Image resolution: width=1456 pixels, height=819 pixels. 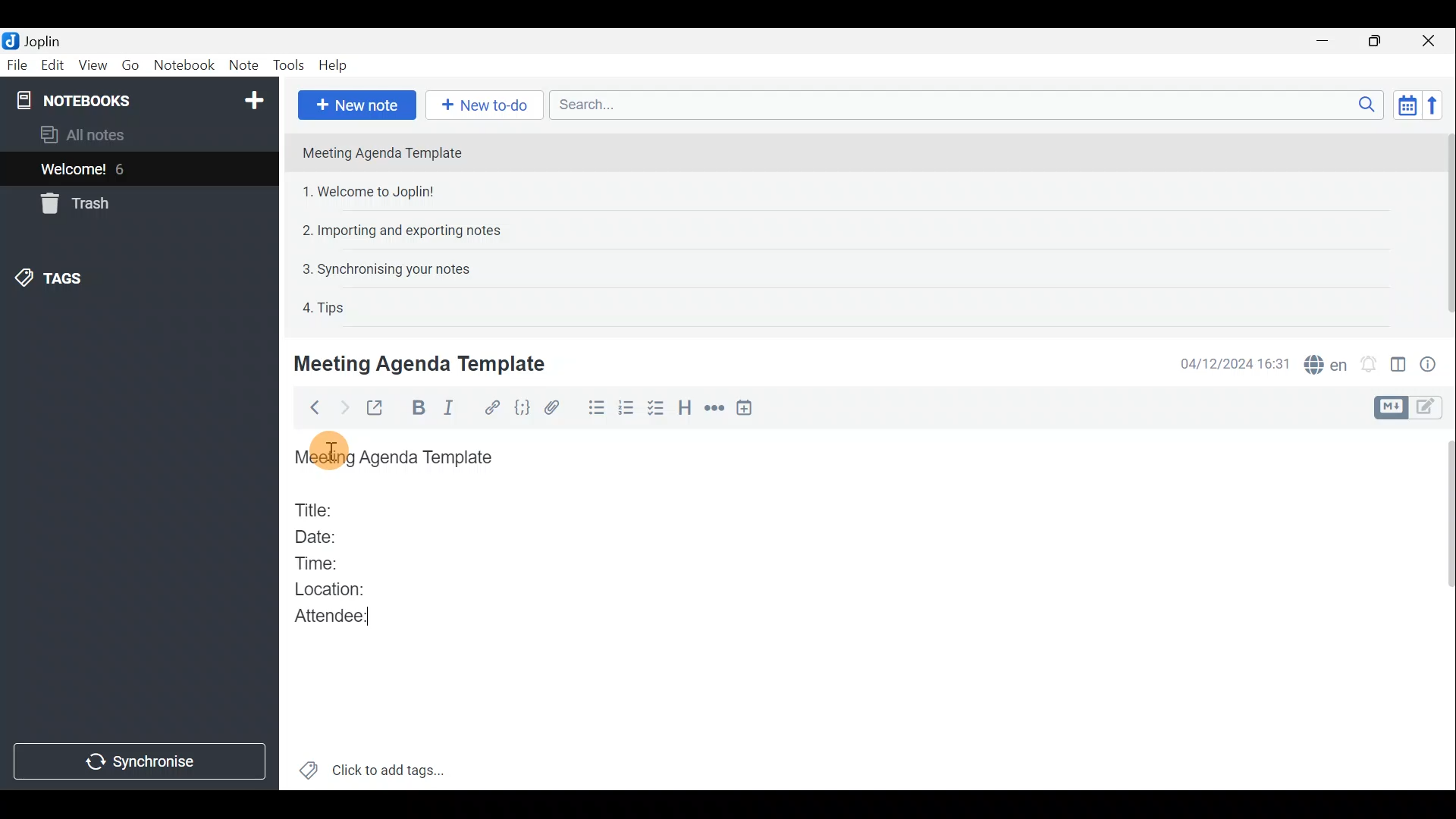 I want to click on New to-do, so click(x=481, y=105).